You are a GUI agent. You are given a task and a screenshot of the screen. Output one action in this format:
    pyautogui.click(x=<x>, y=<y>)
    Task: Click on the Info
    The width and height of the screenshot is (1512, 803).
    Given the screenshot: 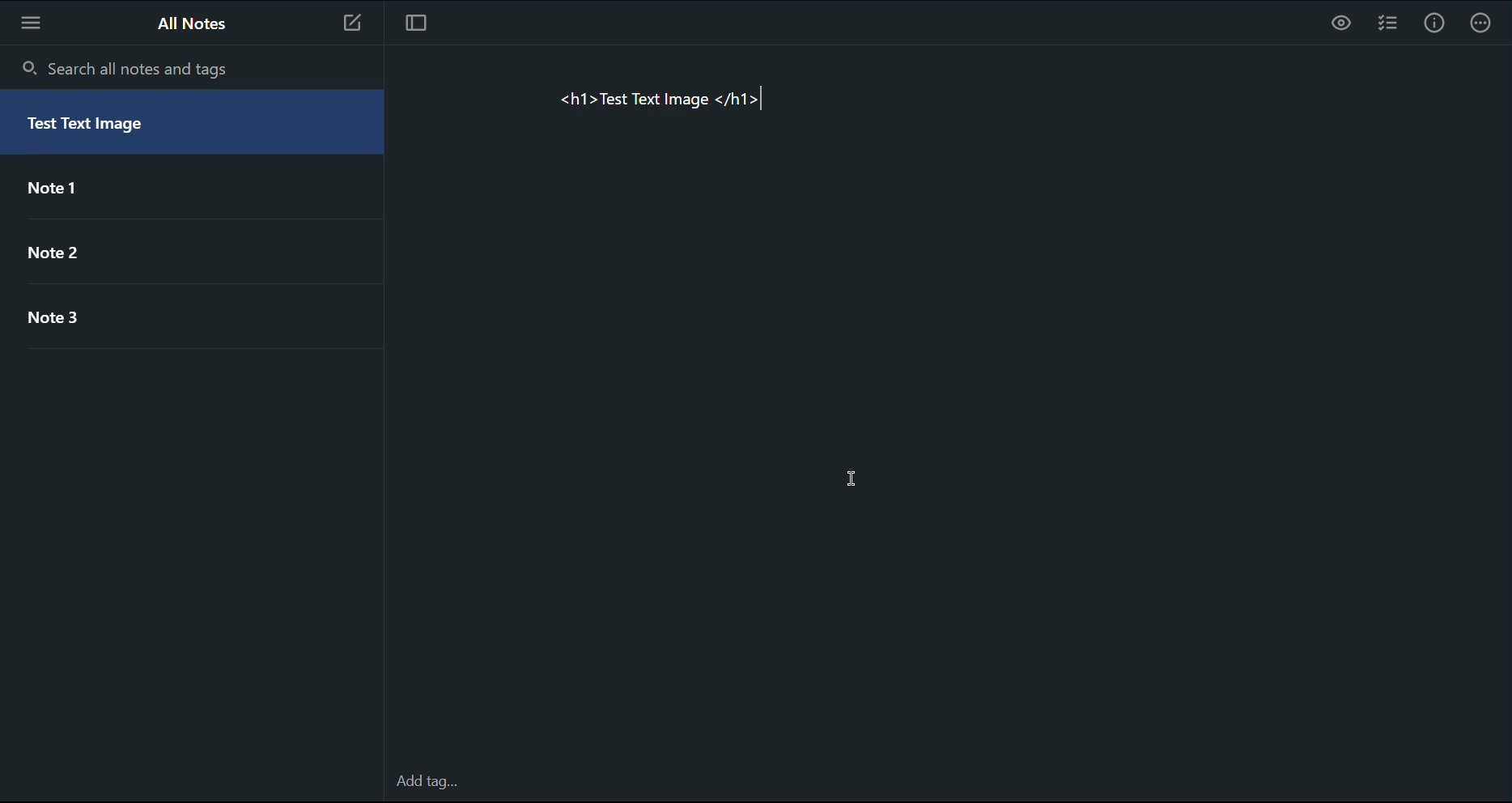 What is the action you would take?
    pyautogui.click(x=1435, y=23)
    